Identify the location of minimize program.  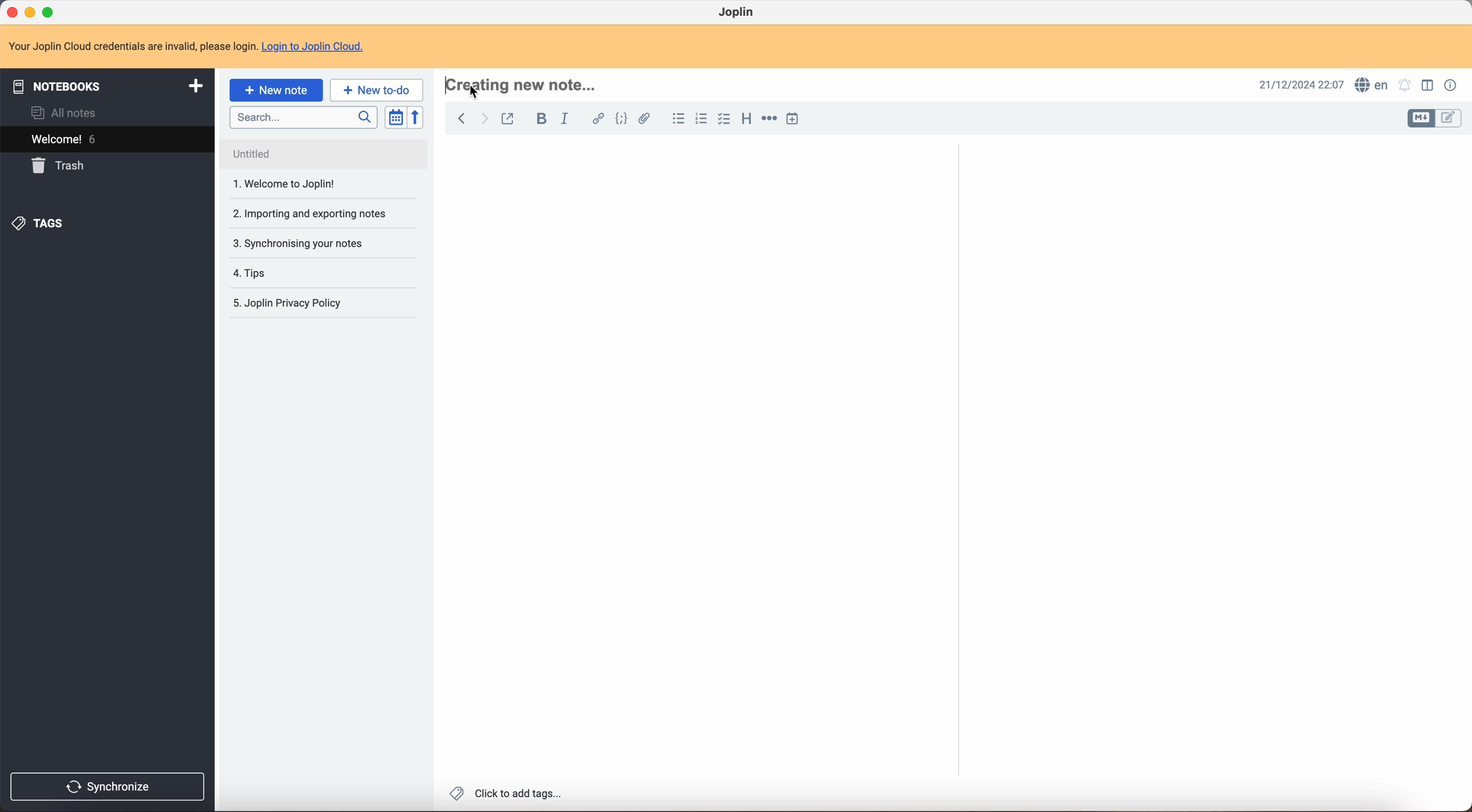
(30, 11).